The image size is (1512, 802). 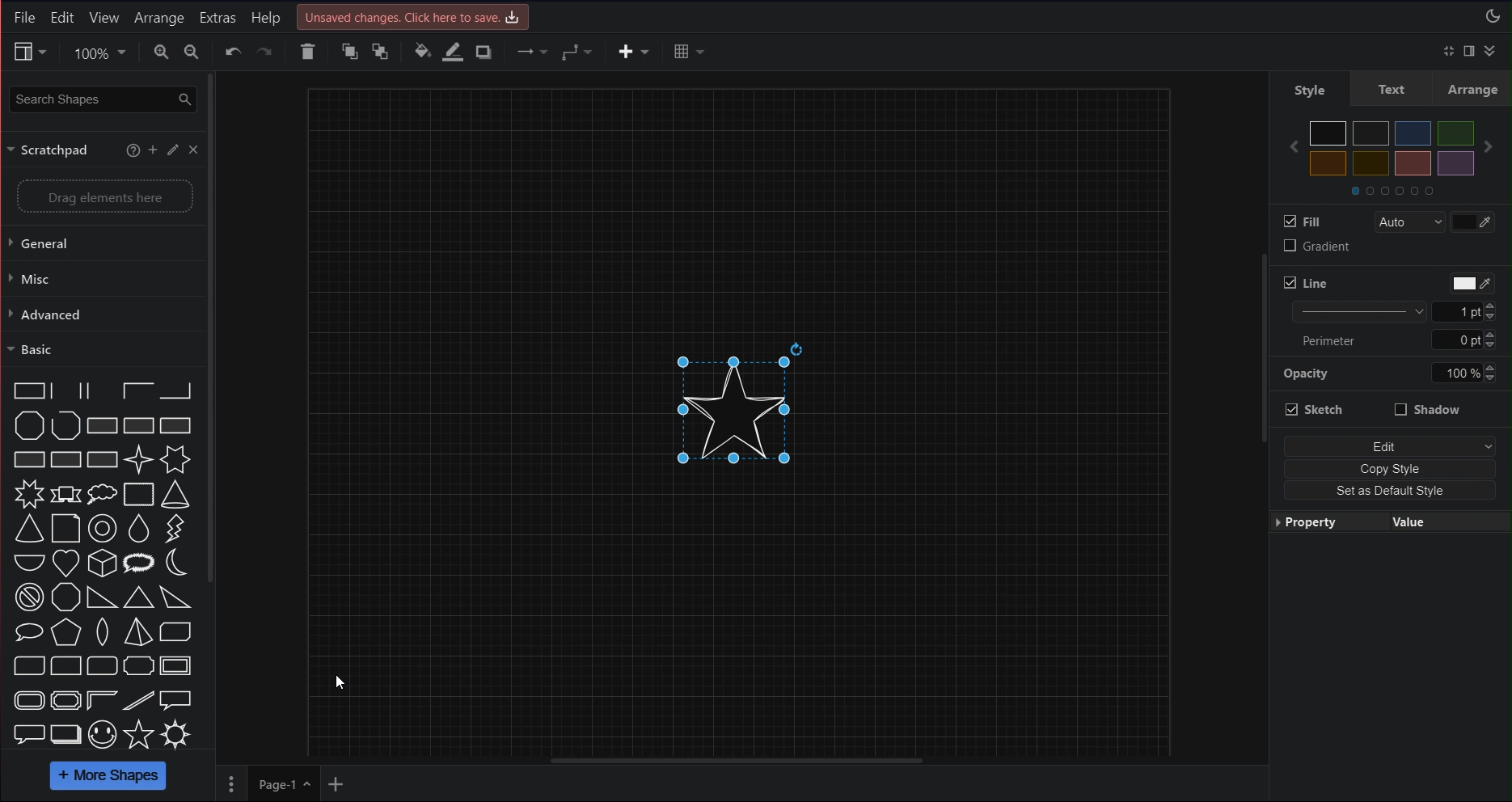 What do you see at coordinates (100, 425) in the screenshot?
I see `rectangle with diagonal fill` at bounding box center [100, 425].